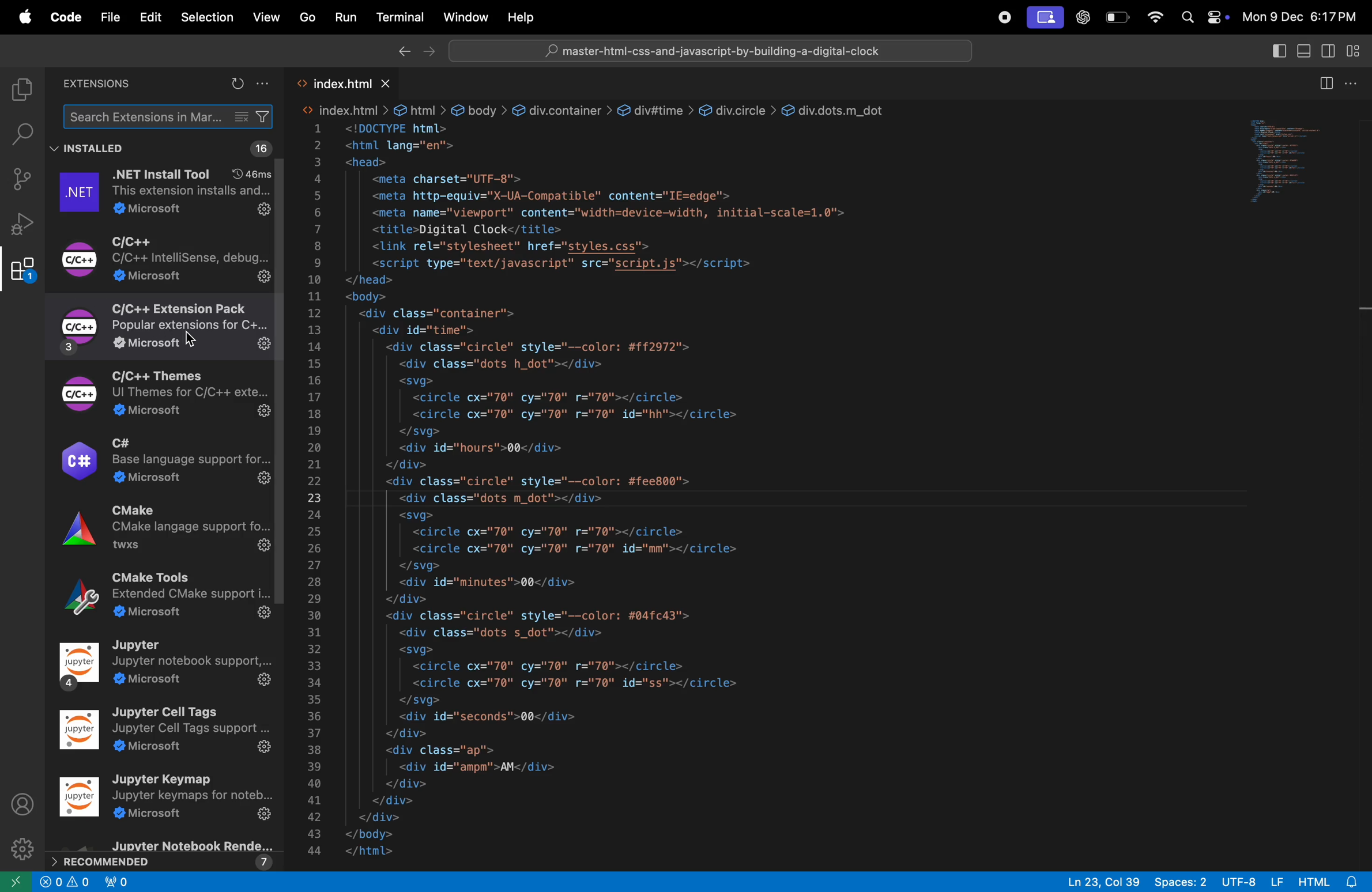 The height and width of the screenshot is (892, 1372). What do you see at coordinates (22, 14) in the screenshot?
I see `apple menu` at bounding box center [22, 14].